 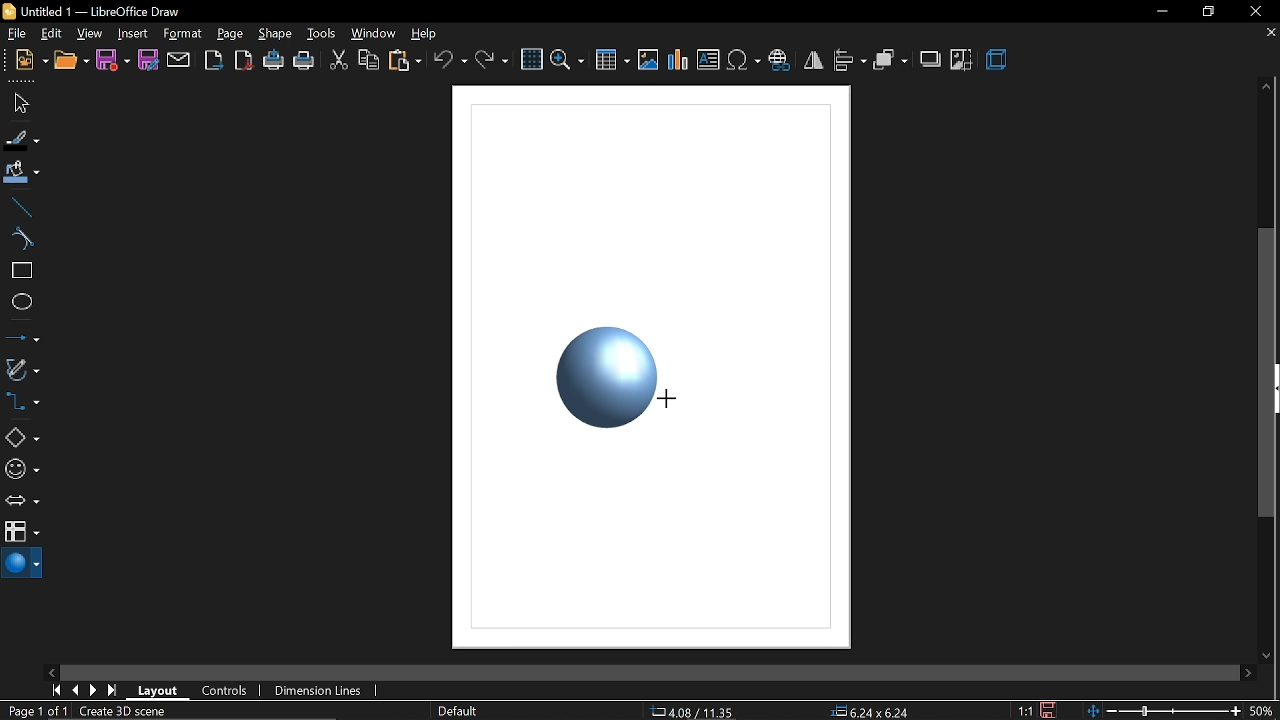 What do you see at coordinates (52, 33) in the screenshot?
I see `edit` at bounding box center [52, 33].